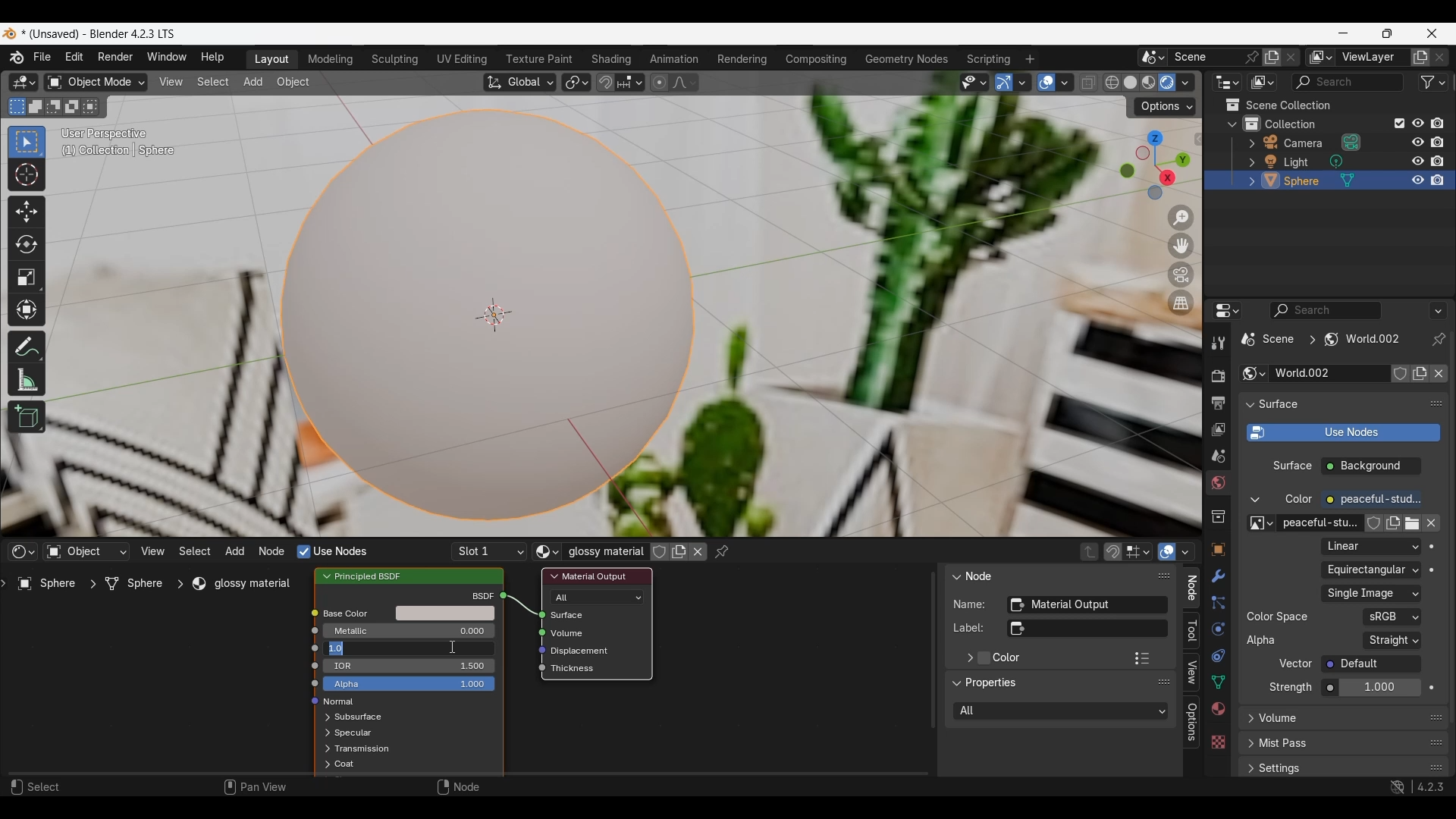 This screenshot has width=1456, height=819. What do you see at coordinates (1432, 83) in the screenshot?
I see `Filter` at bounding box center [1432, 83].